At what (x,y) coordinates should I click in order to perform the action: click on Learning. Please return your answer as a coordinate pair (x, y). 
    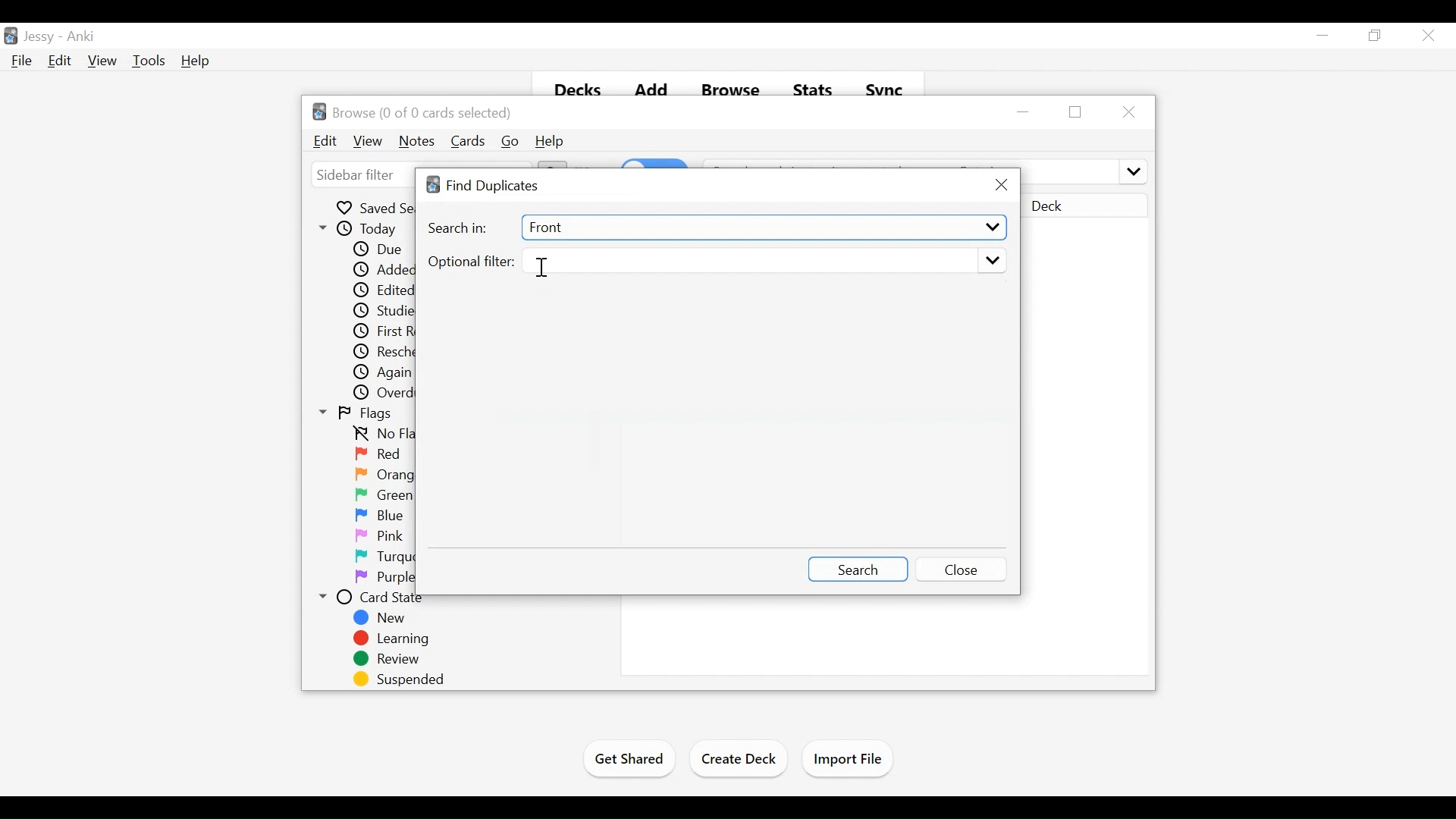
    Looking at the image, I should click on (390, 639).